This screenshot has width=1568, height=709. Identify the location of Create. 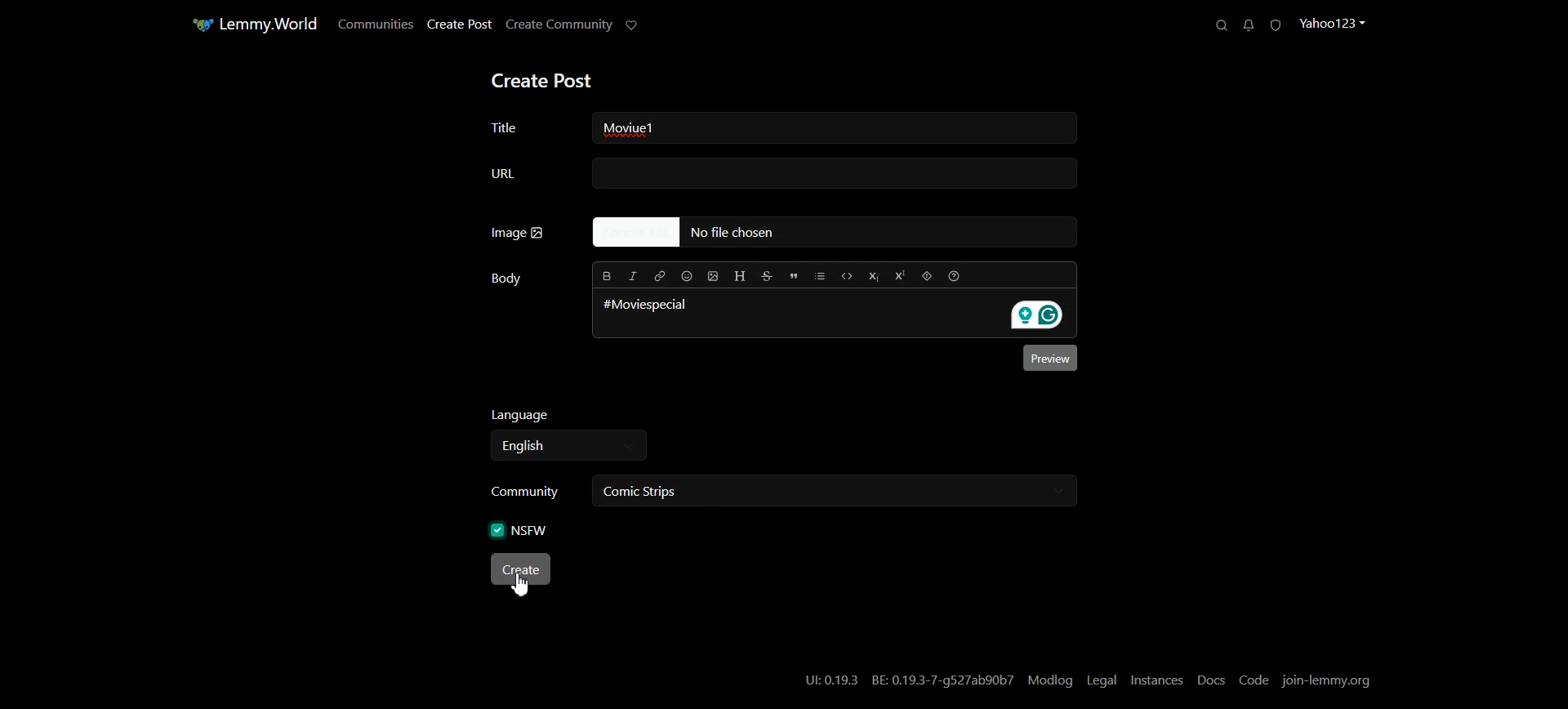
(523, 570).